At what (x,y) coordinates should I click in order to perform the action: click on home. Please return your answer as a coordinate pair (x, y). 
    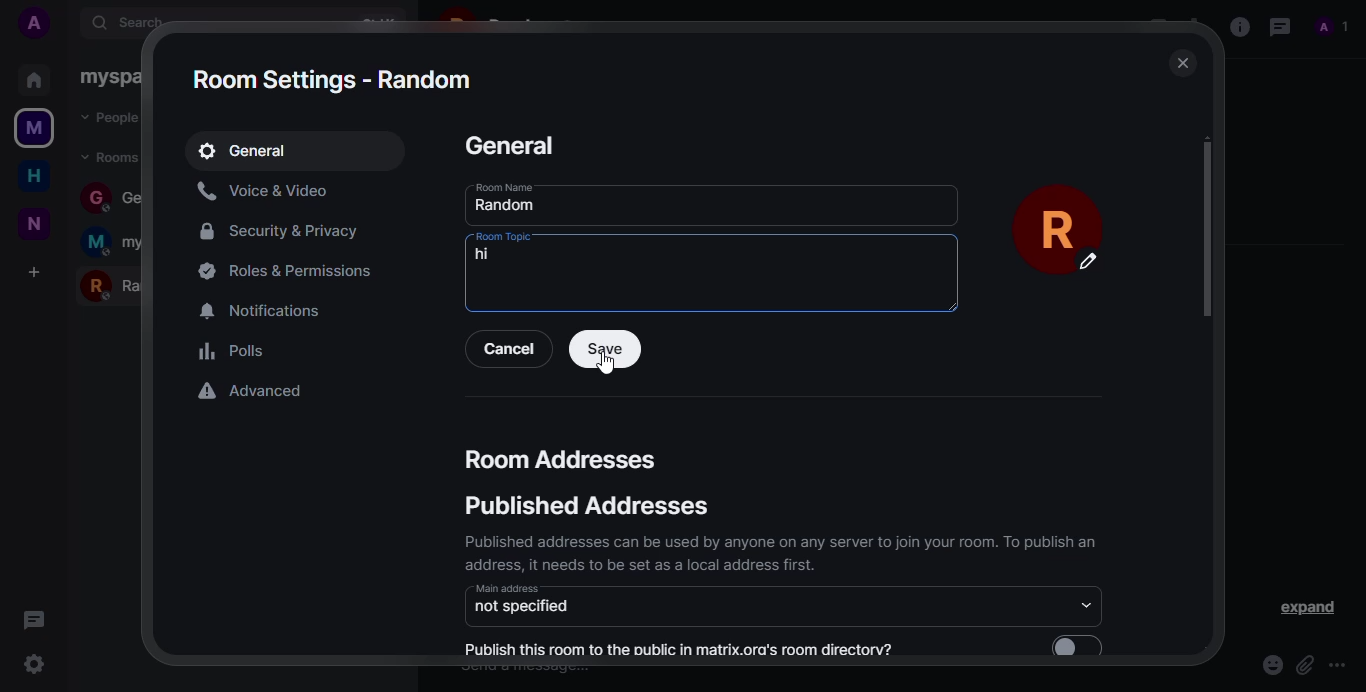
    Looking at the image, I should click on (31, 78).